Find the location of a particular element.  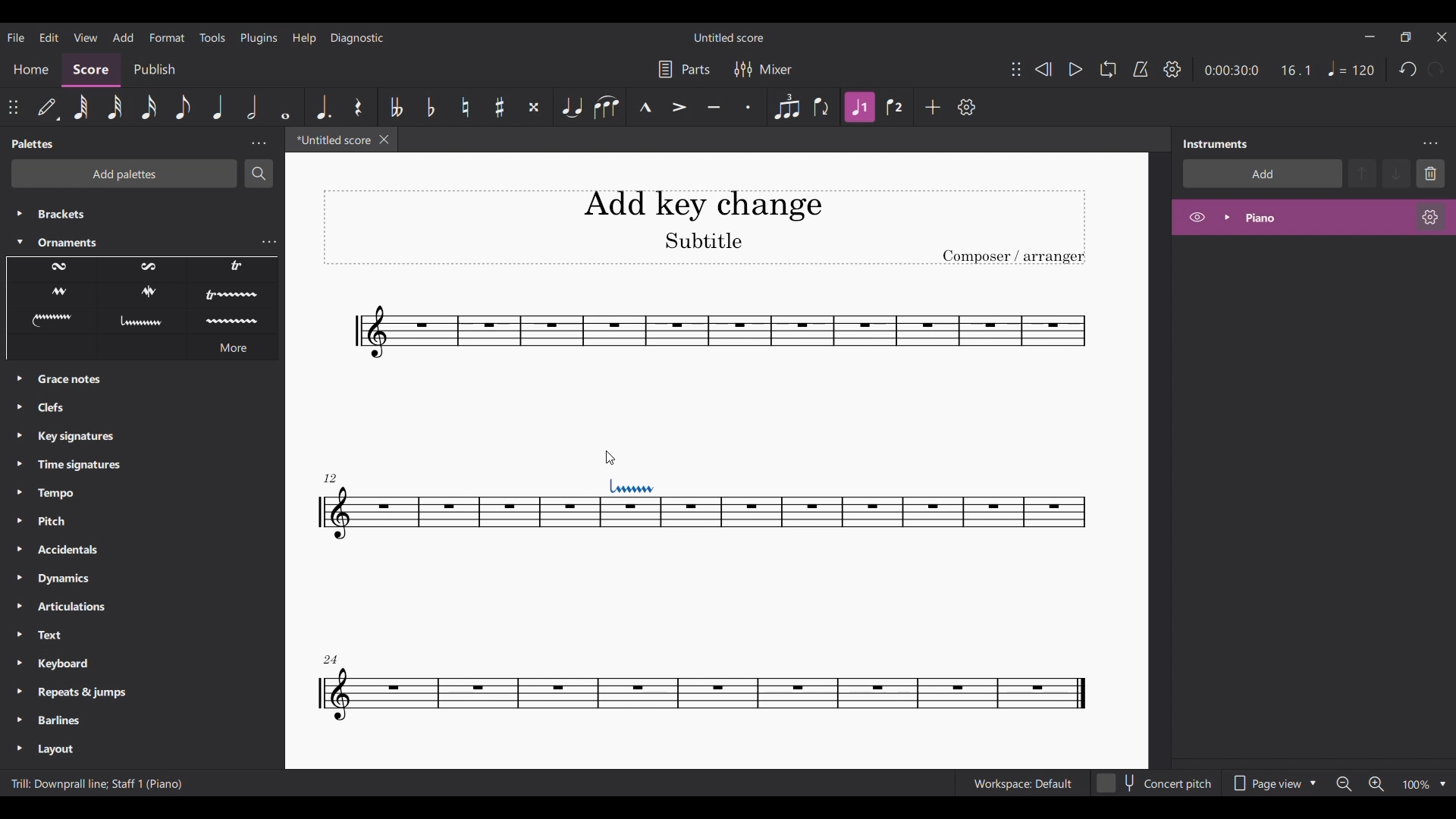

Whole note is located at coordinates (286, 106).